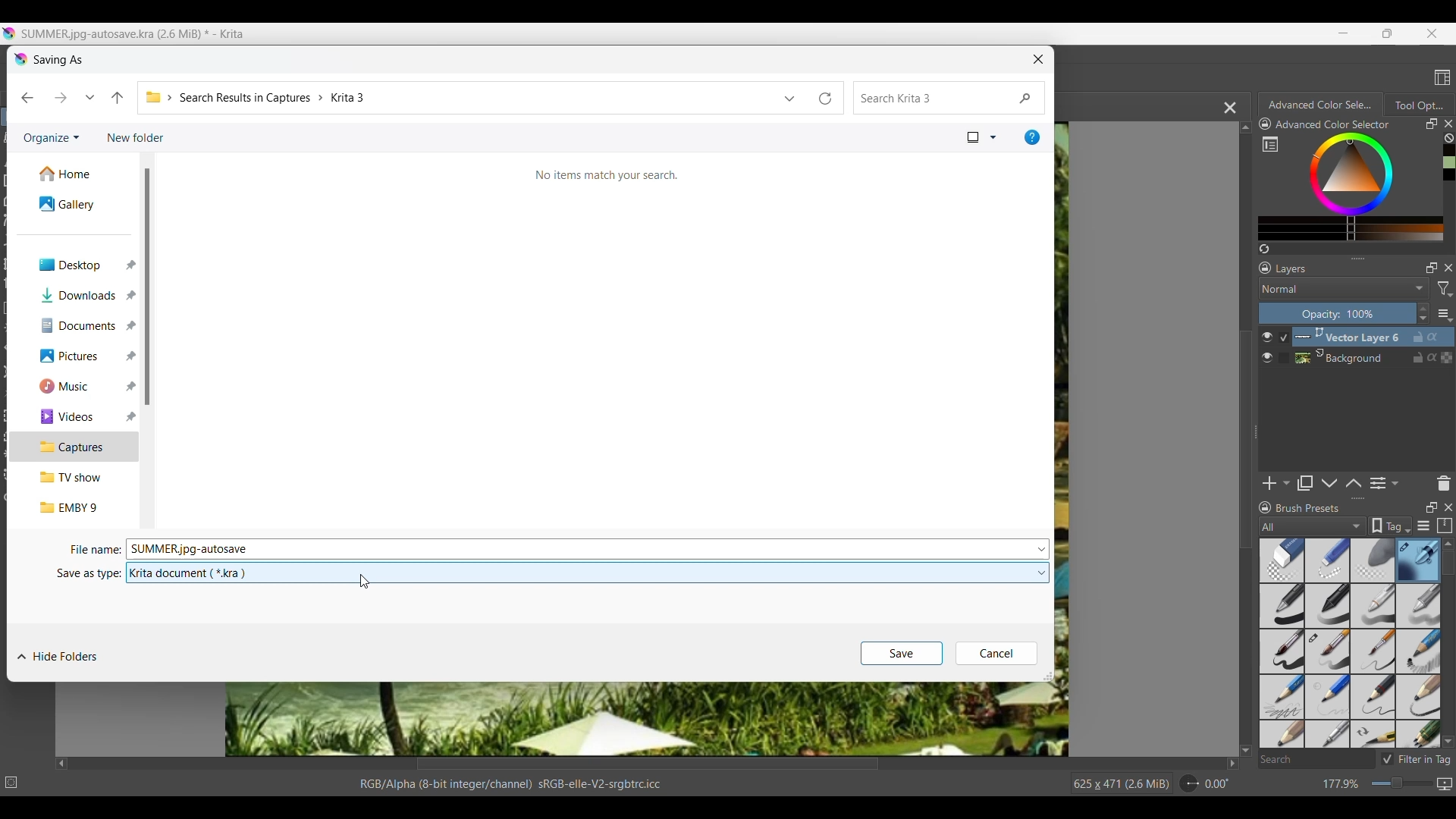 The width and height of the screenshot is (1456, 819). What do you see at coordinates (1329, 483) in the screenshot?
I see `Move layer/mask down` at bounding box center [1329, 483].